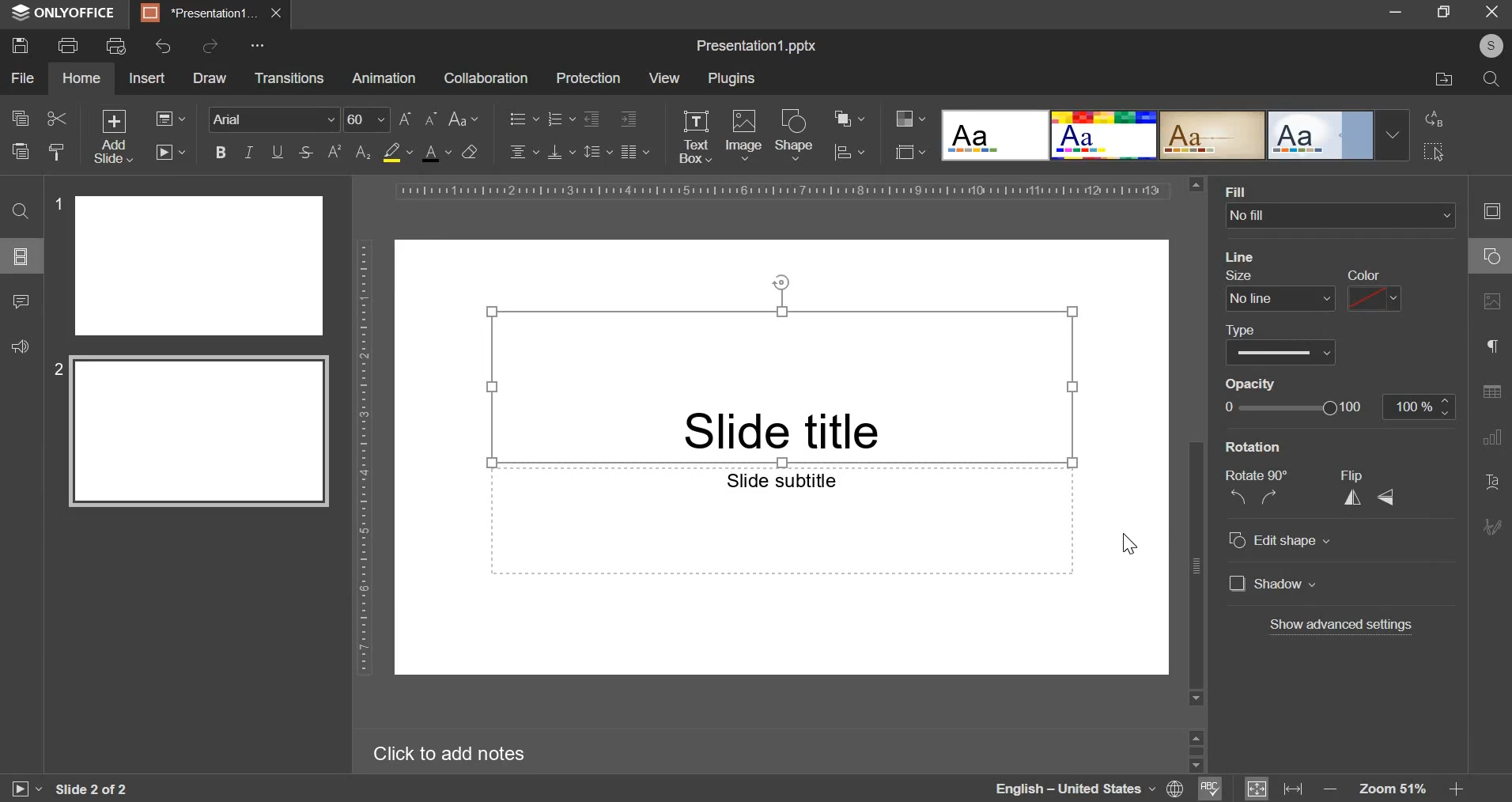  What do you see at coordinates (524, 149) in the screenshot?
I see `horizontal alignment` at bounding box center [524, 149].